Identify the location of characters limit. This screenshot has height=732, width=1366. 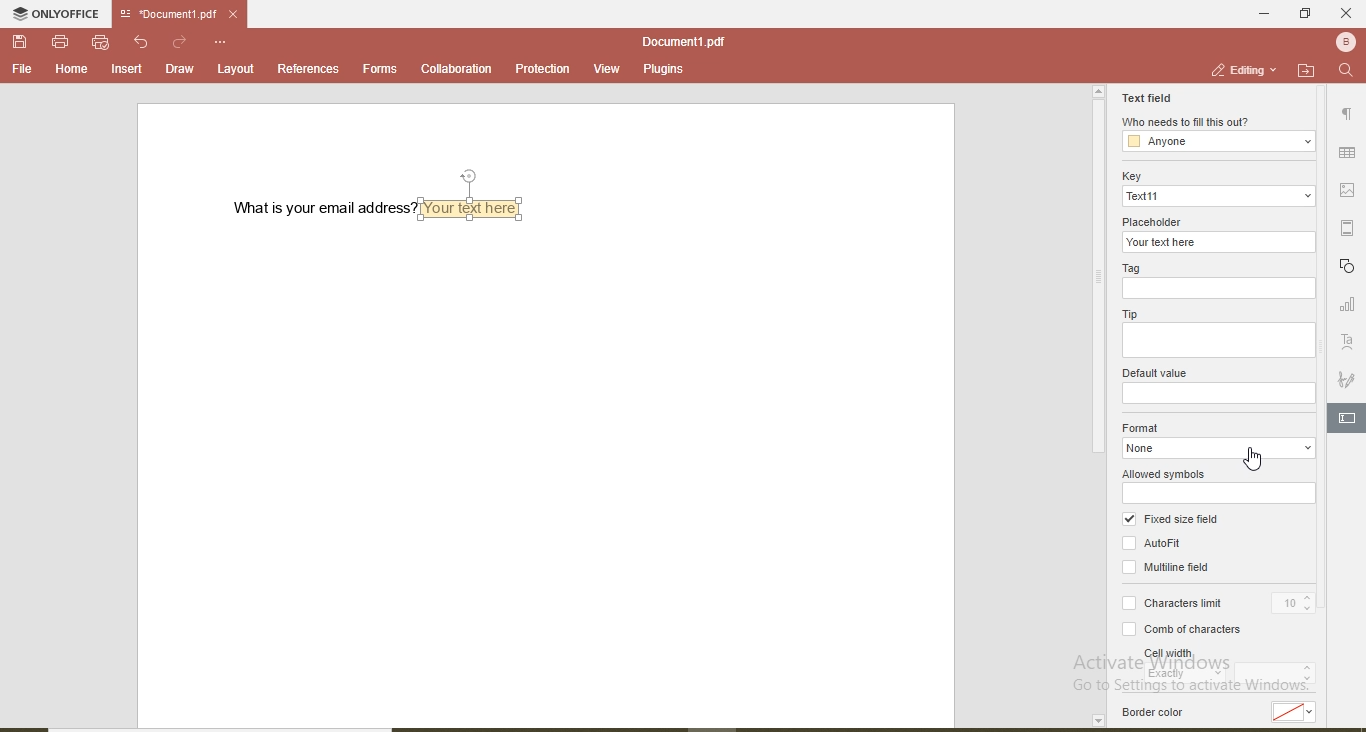
(1180, 602).